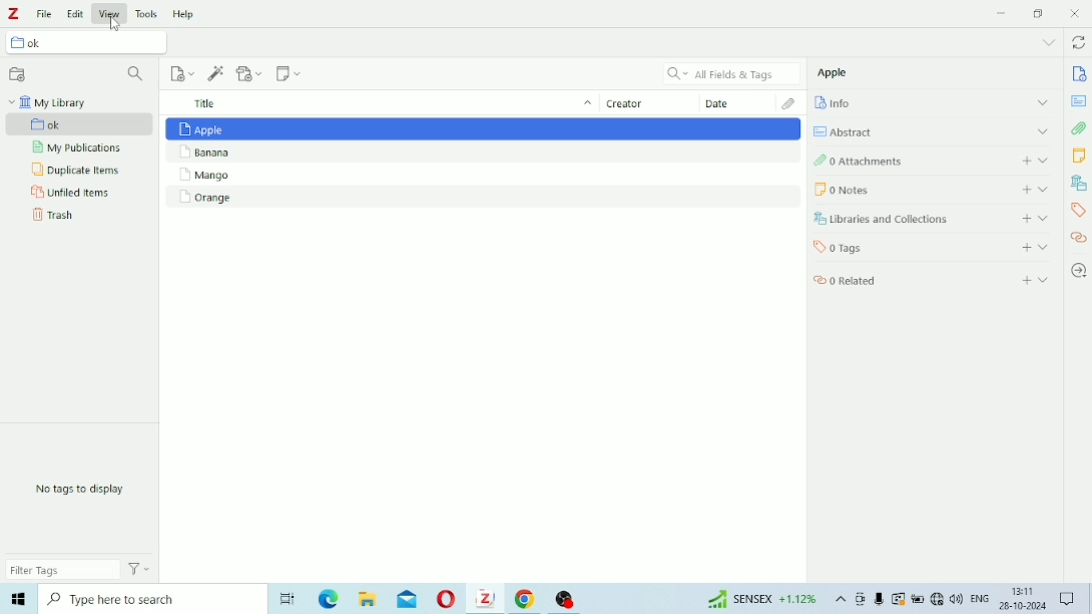  Describe the element at coordinates (17, 13) in the screenshot. I see `Zotero logo` at that location.